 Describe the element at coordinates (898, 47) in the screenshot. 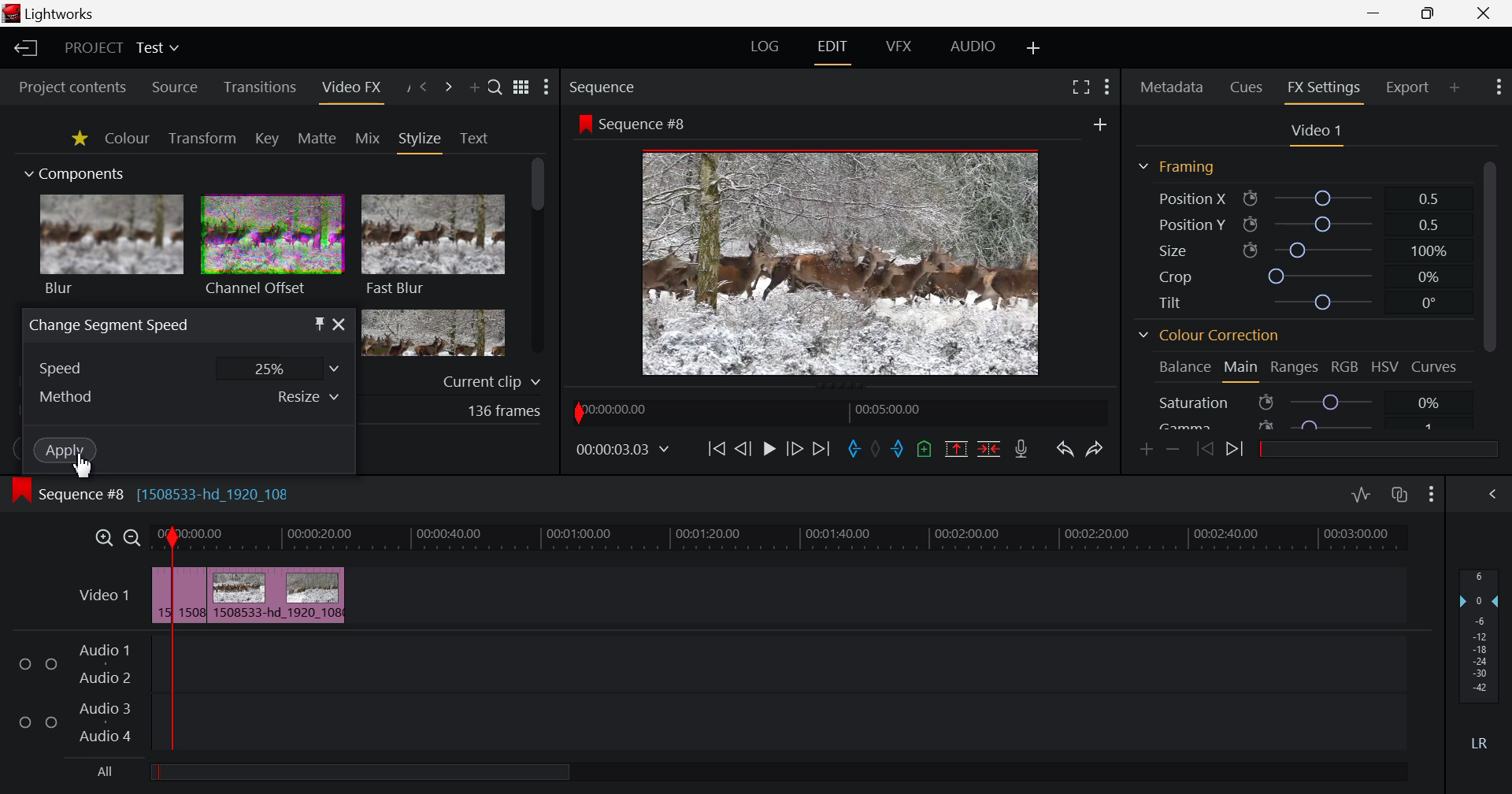

I see `VFX Layout` at that location.